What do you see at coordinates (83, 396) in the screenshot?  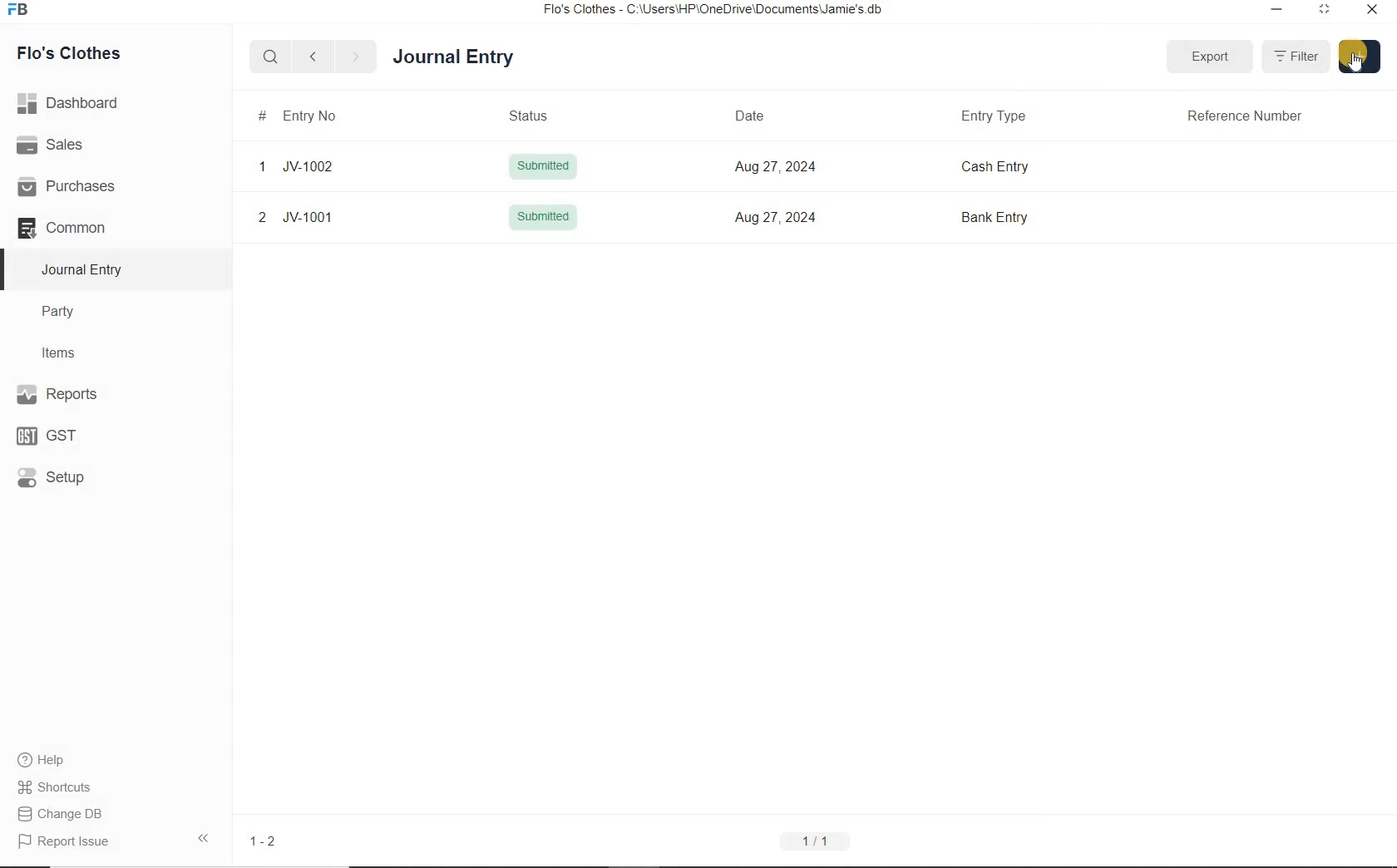 I see `Reports` at bounding box center [83, 396].